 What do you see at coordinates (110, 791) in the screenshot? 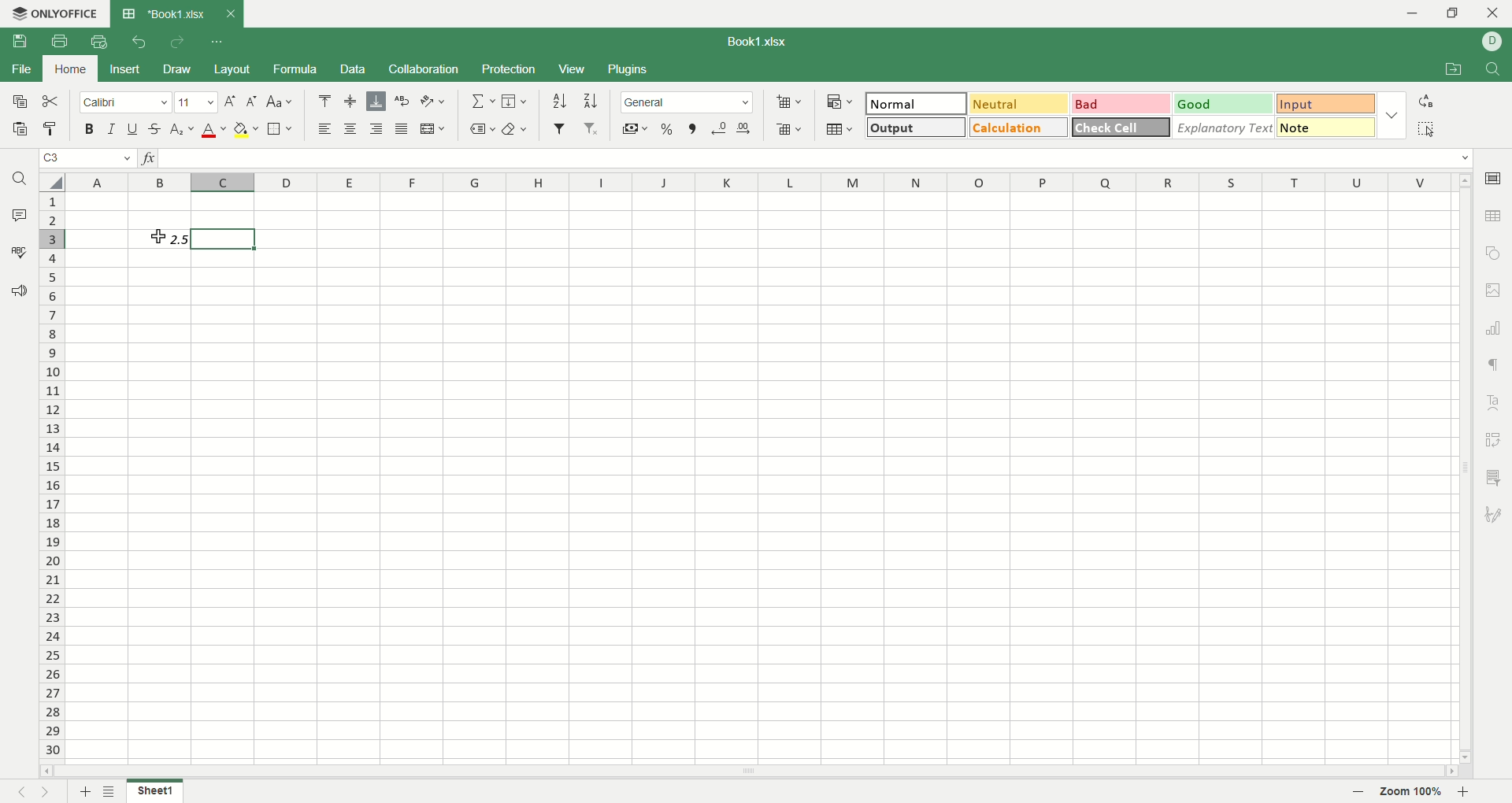
I see `List of sheets` at bounding box center [110, 791].